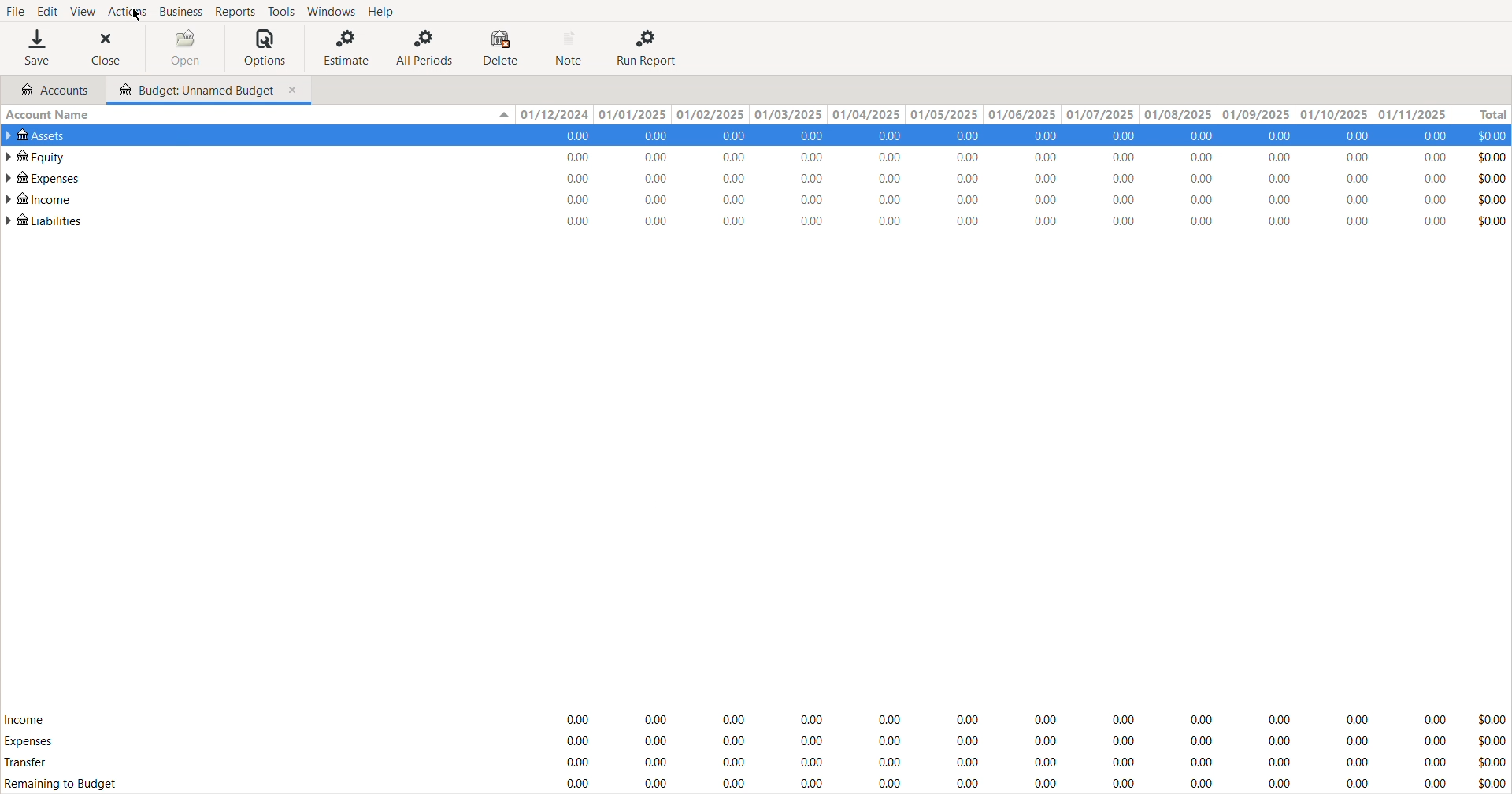 This screenshot has width=1512, height=794. What do you see at coordinates (280, 11) in the screenshot?
I see `Tools` at bounding box center [280, 11].